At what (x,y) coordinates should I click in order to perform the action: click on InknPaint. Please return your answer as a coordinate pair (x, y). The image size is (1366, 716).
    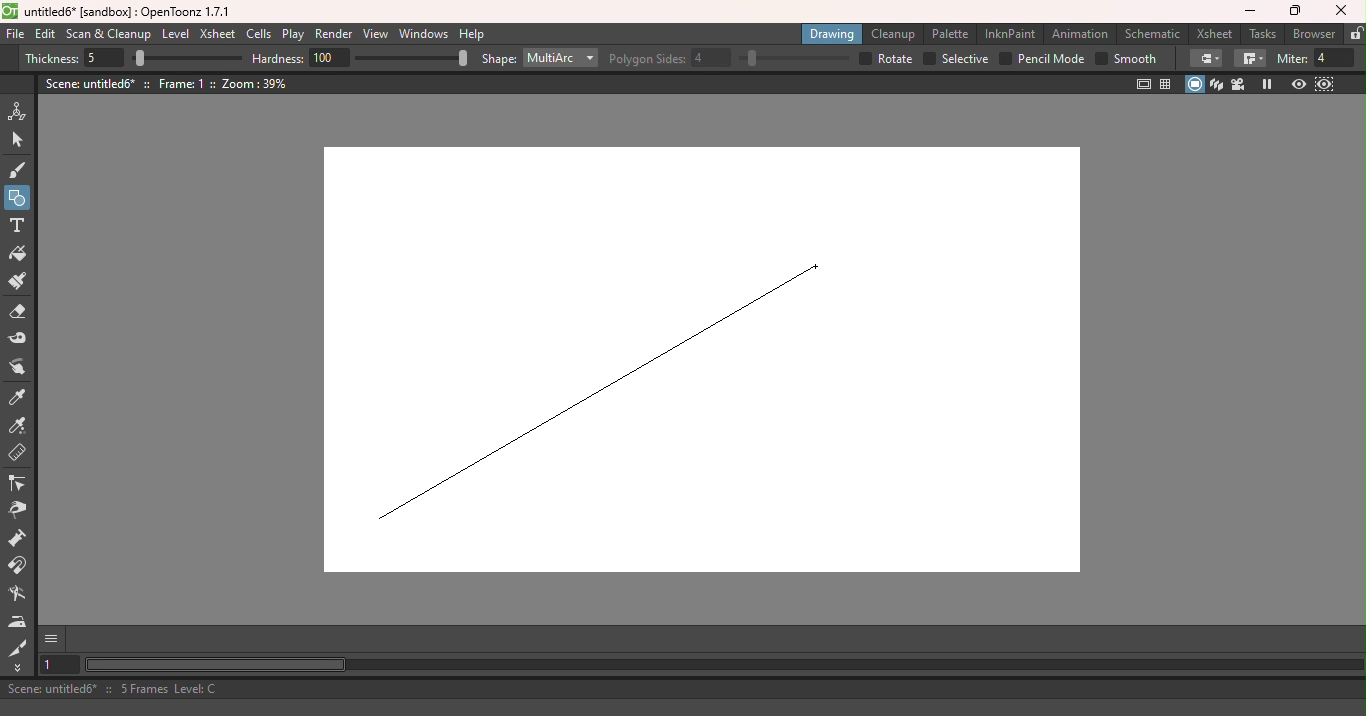
    Looking at the image, I should click on (1010, 34).